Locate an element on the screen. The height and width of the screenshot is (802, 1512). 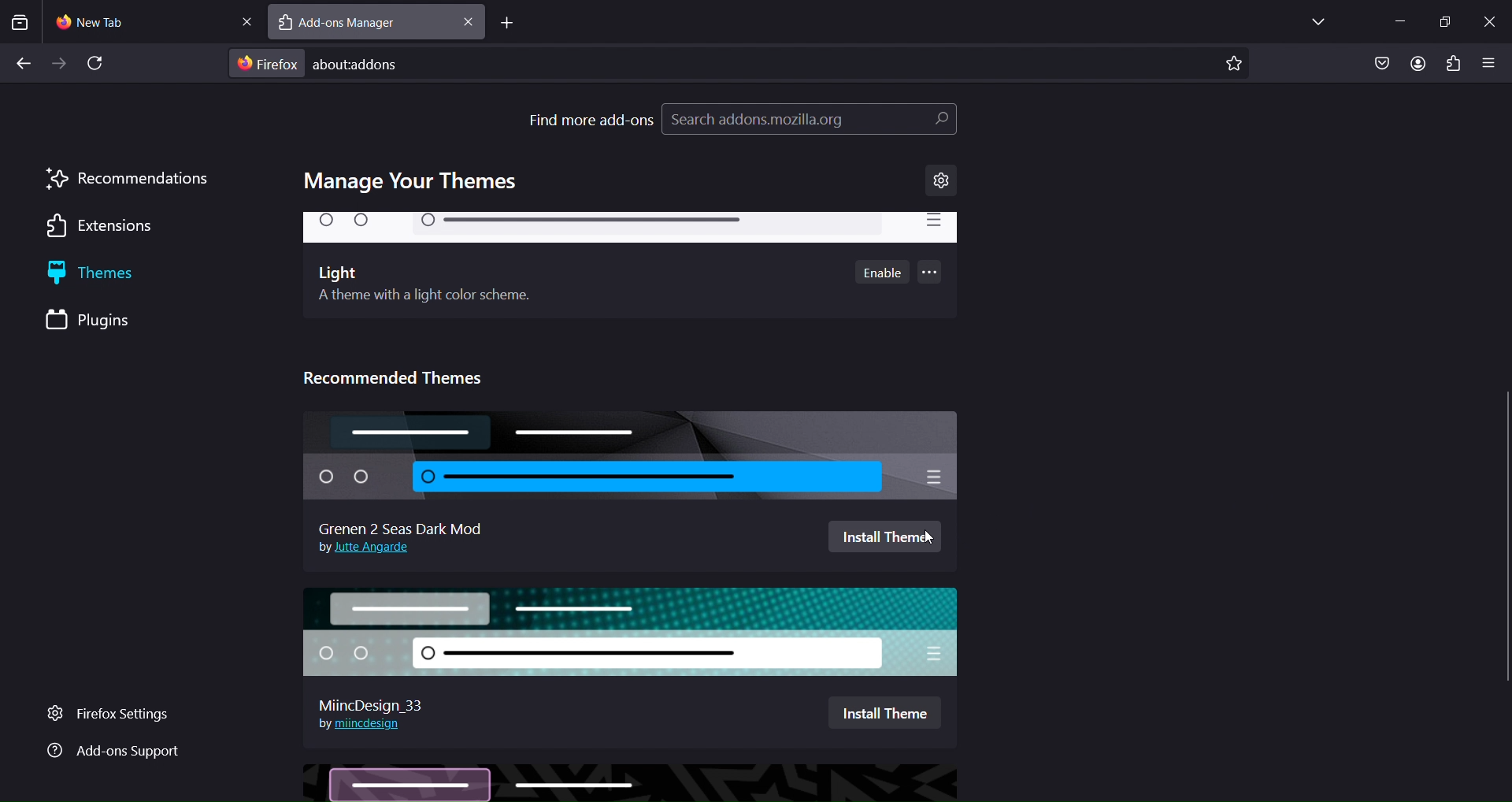
light is located at coordinates (629, 230).